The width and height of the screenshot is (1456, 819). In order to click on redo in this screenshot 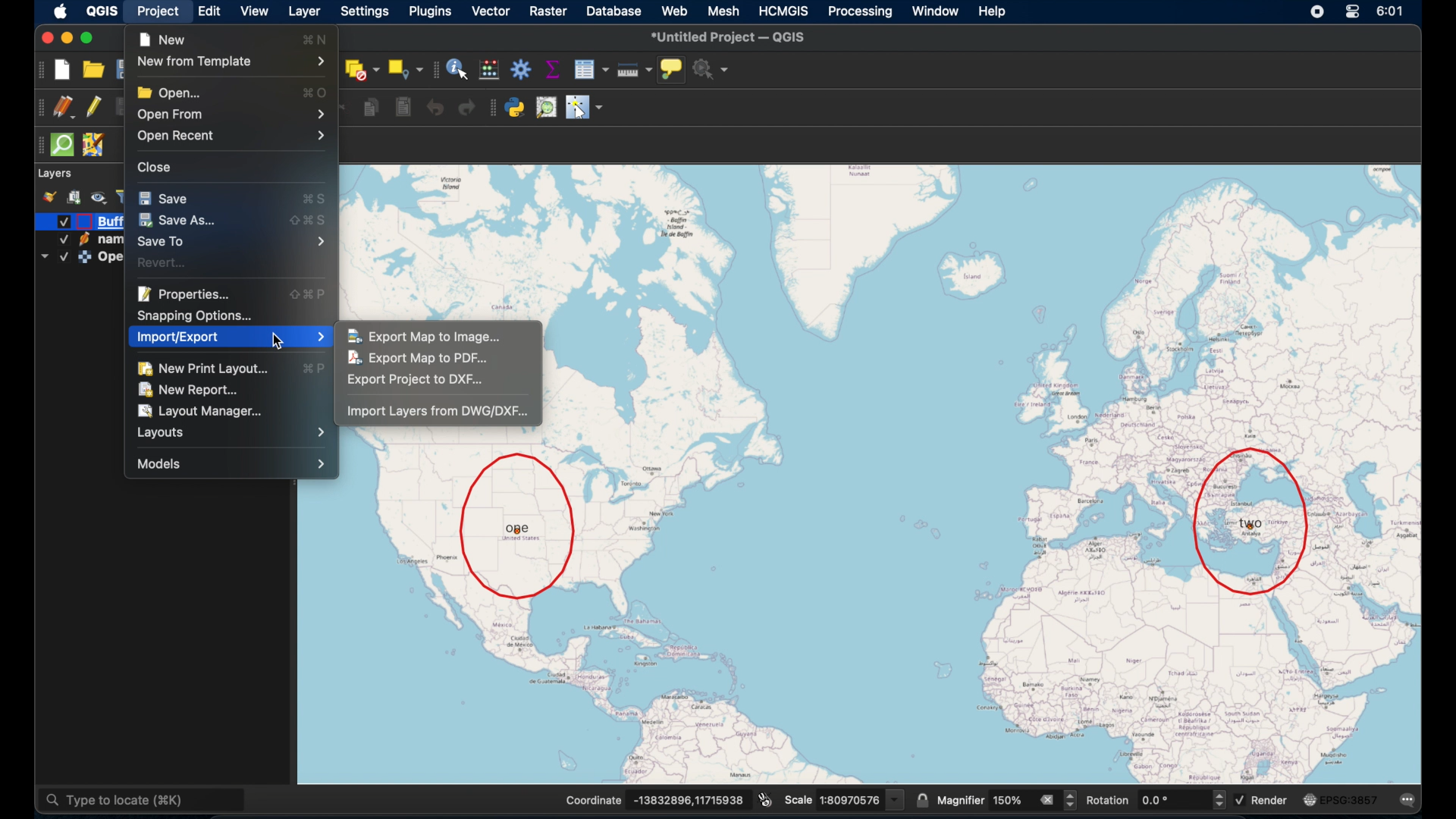, I will do `click(466, 108)`.